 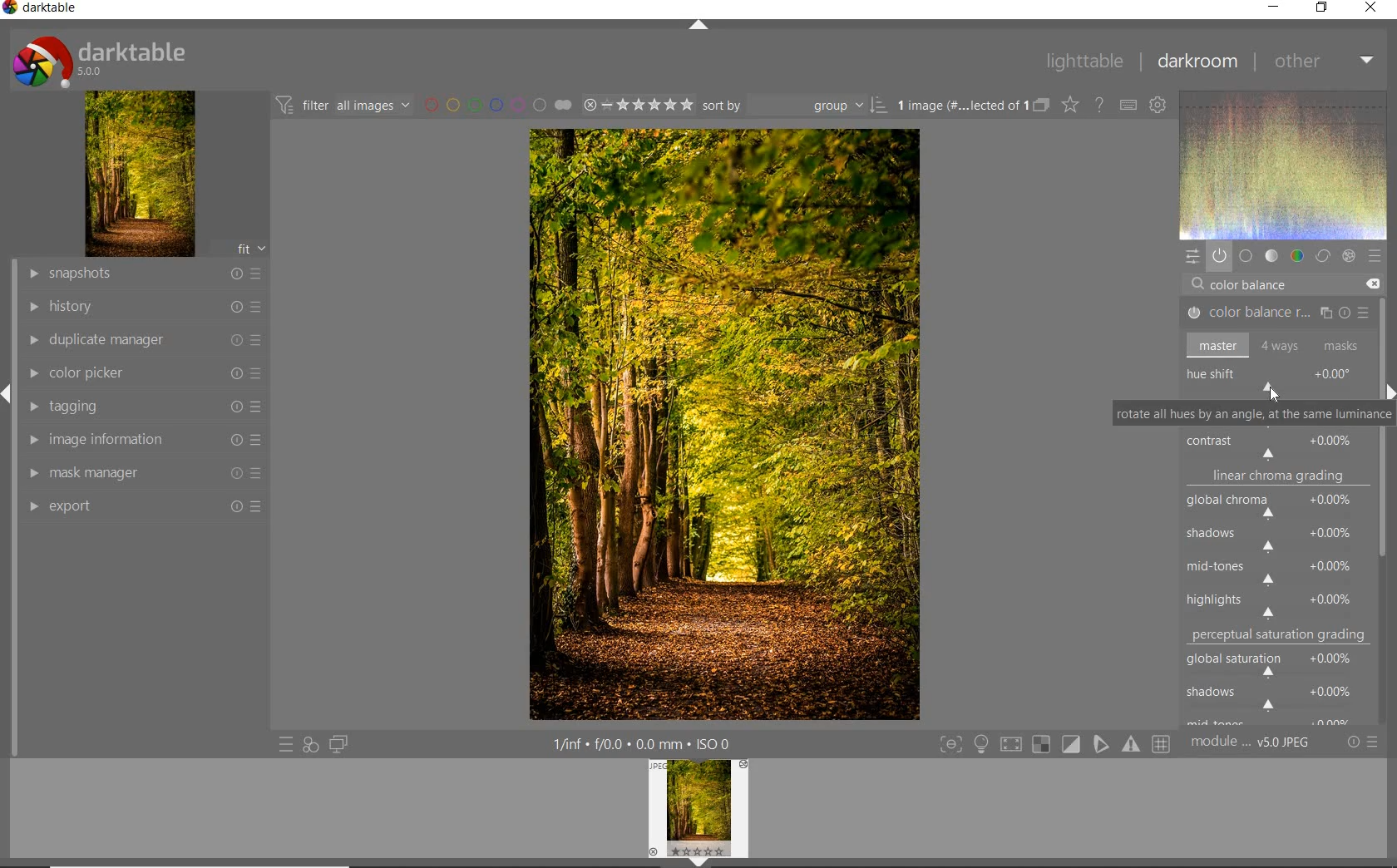 I want to click on tagging, so click(x=143, y=408).